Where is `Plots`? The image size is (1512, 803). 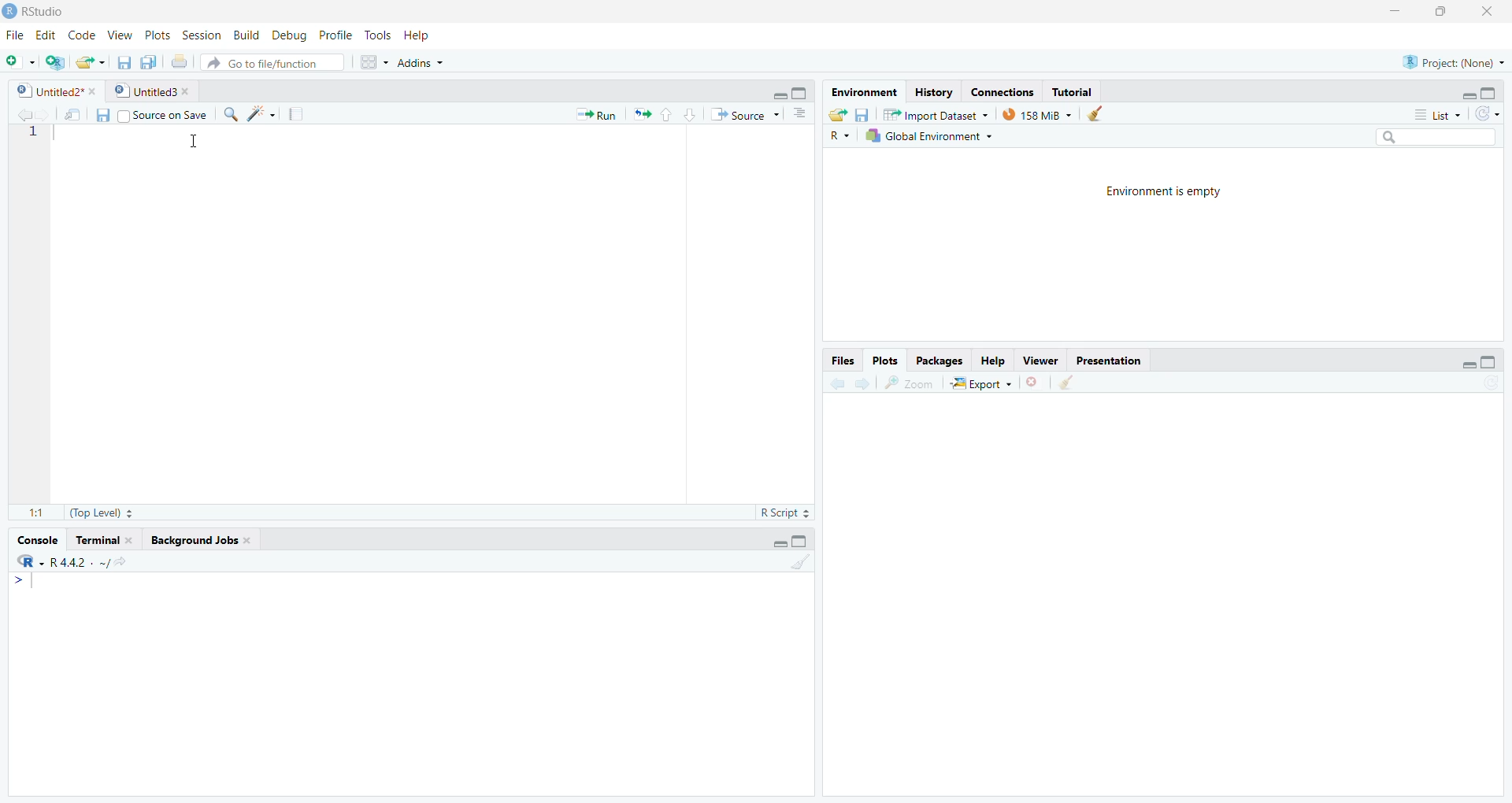 Plots is located at coordinates (888, 360).